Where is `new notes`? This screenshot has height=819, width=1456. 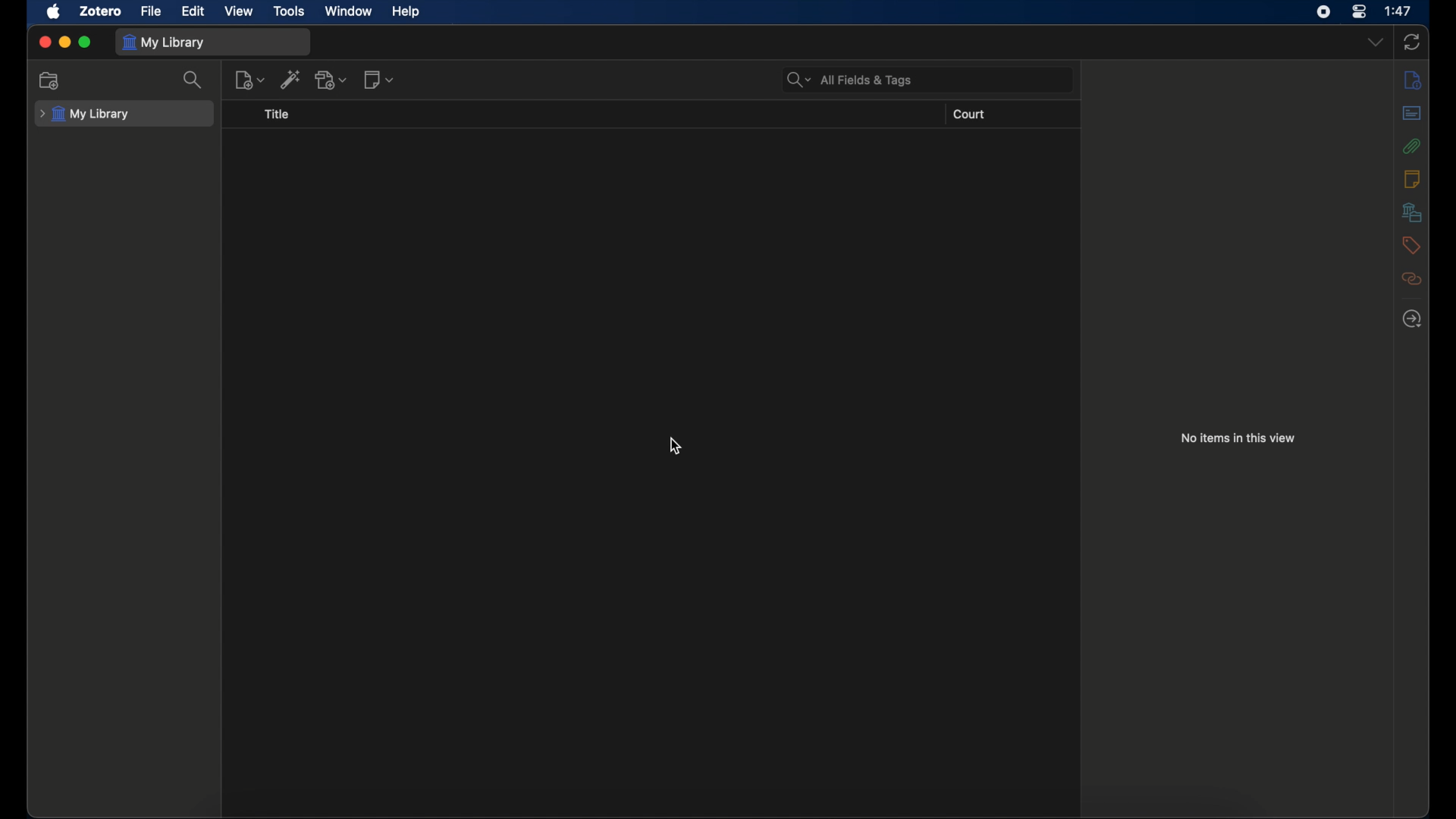 new notes is located at coordinates (379, 79).